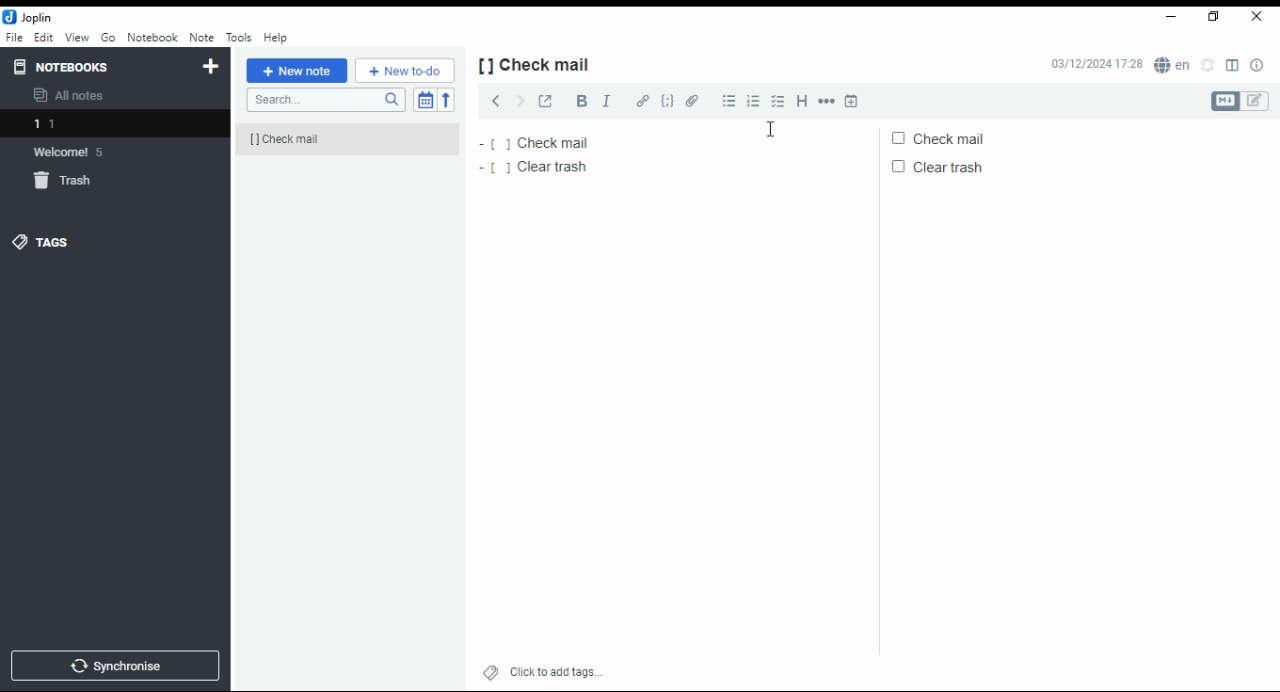  I want to click on spell checker, so click(1175, 67).